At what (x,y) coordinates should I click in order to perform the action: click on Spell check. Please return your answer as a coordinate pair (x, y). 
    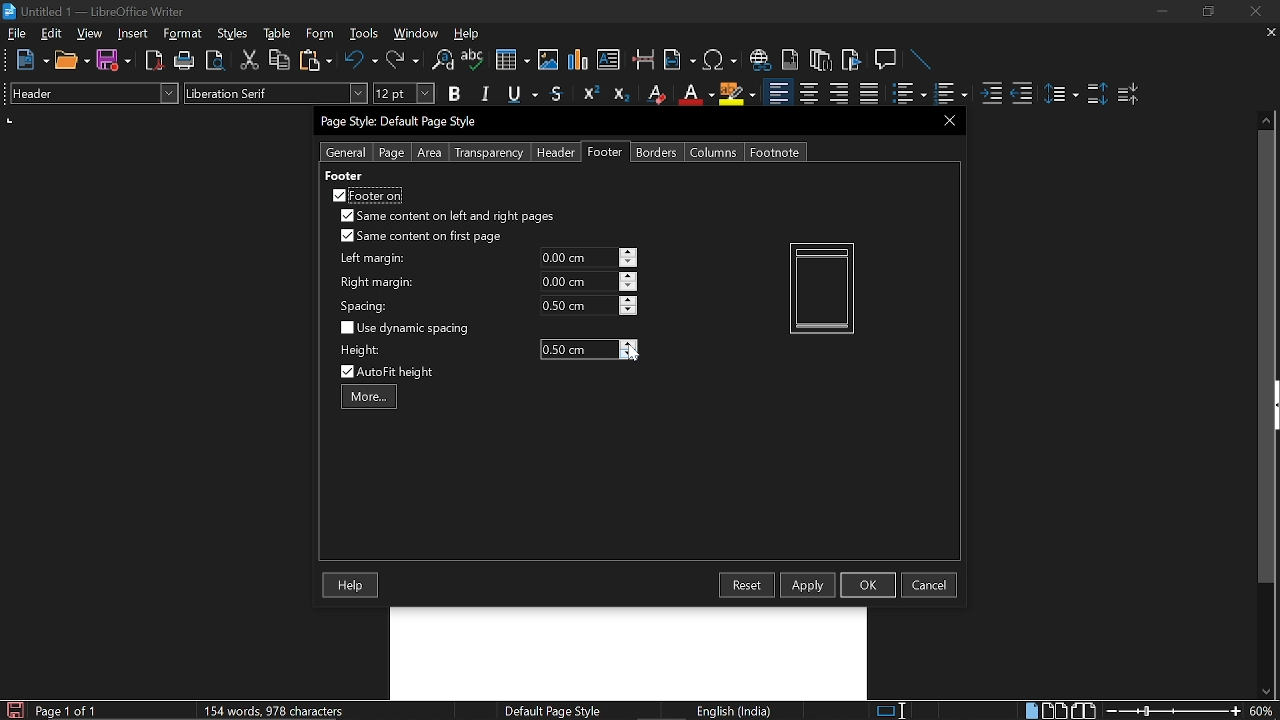
    Looking at the image, I should click on (473, 60).